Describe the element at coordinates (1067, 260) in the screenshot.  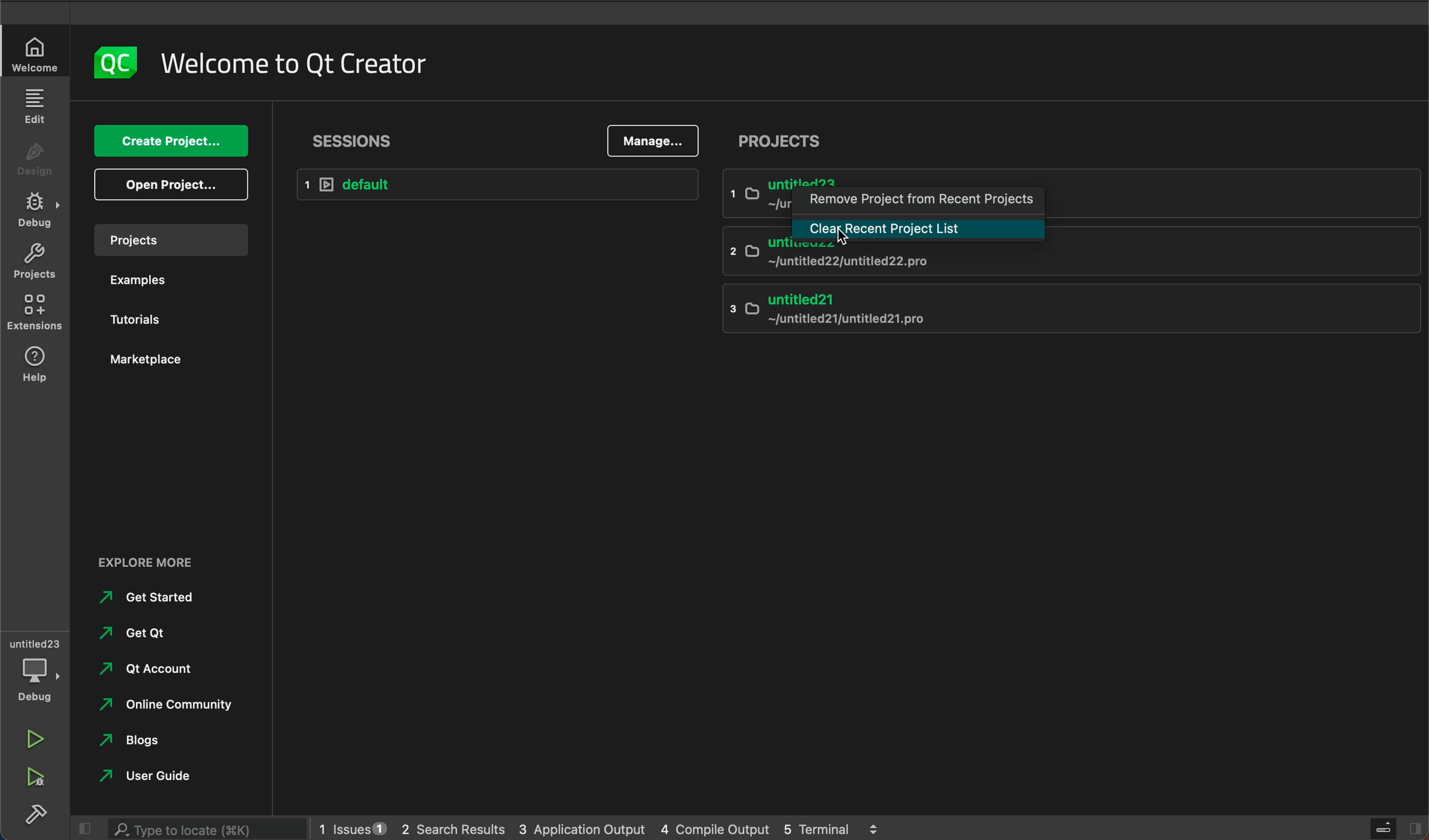
I see `untitled` at that location.